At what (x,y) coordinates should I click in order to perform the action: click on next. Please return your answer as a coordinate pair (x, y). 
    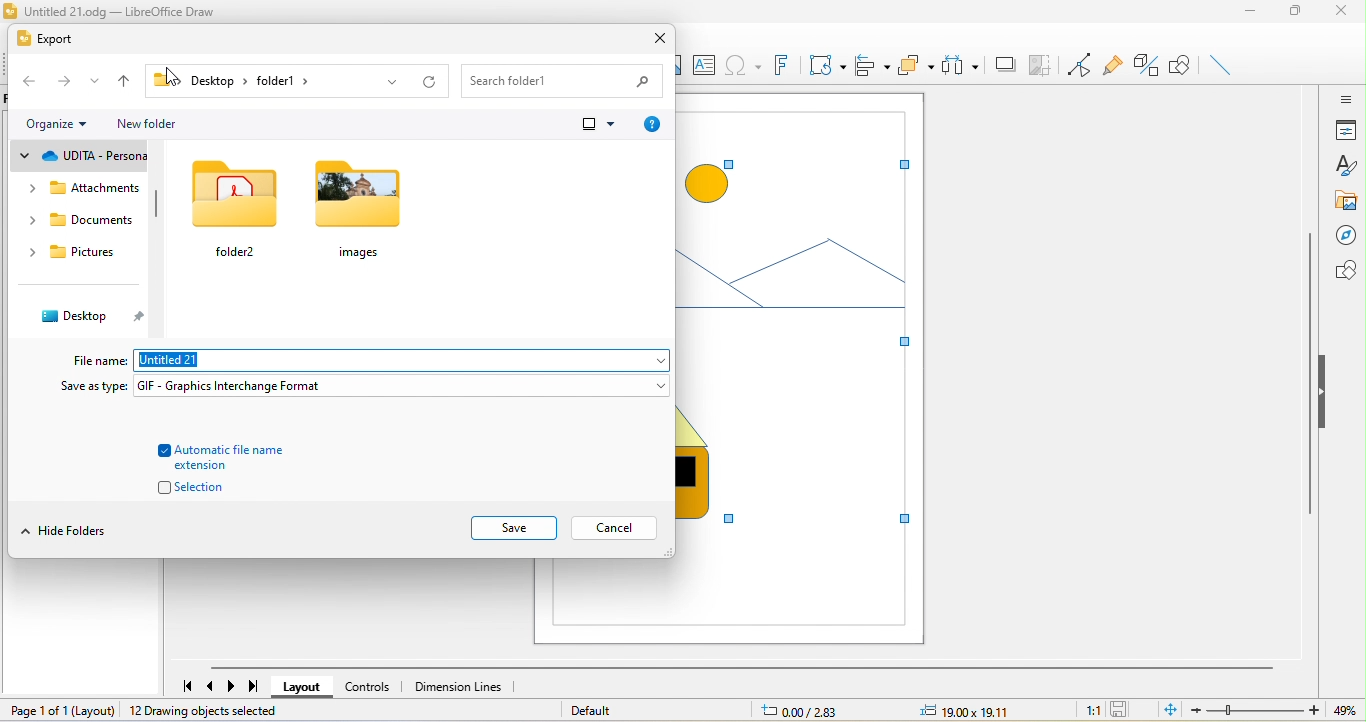
    Looking at the image, I should click on (233, 686).